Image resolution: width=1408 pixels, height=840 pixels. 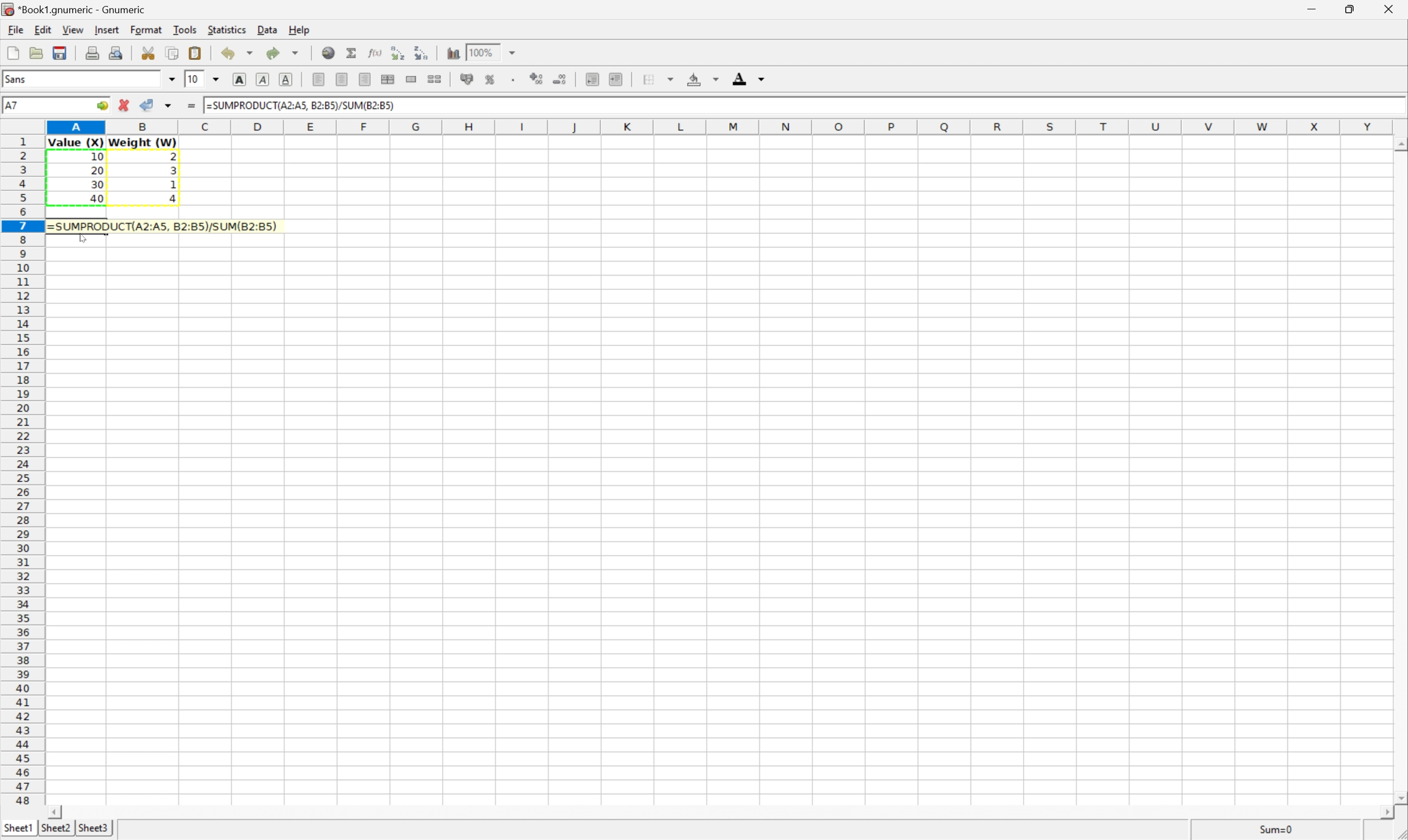 I want to click on Open a file, so click(x=33, y=53).